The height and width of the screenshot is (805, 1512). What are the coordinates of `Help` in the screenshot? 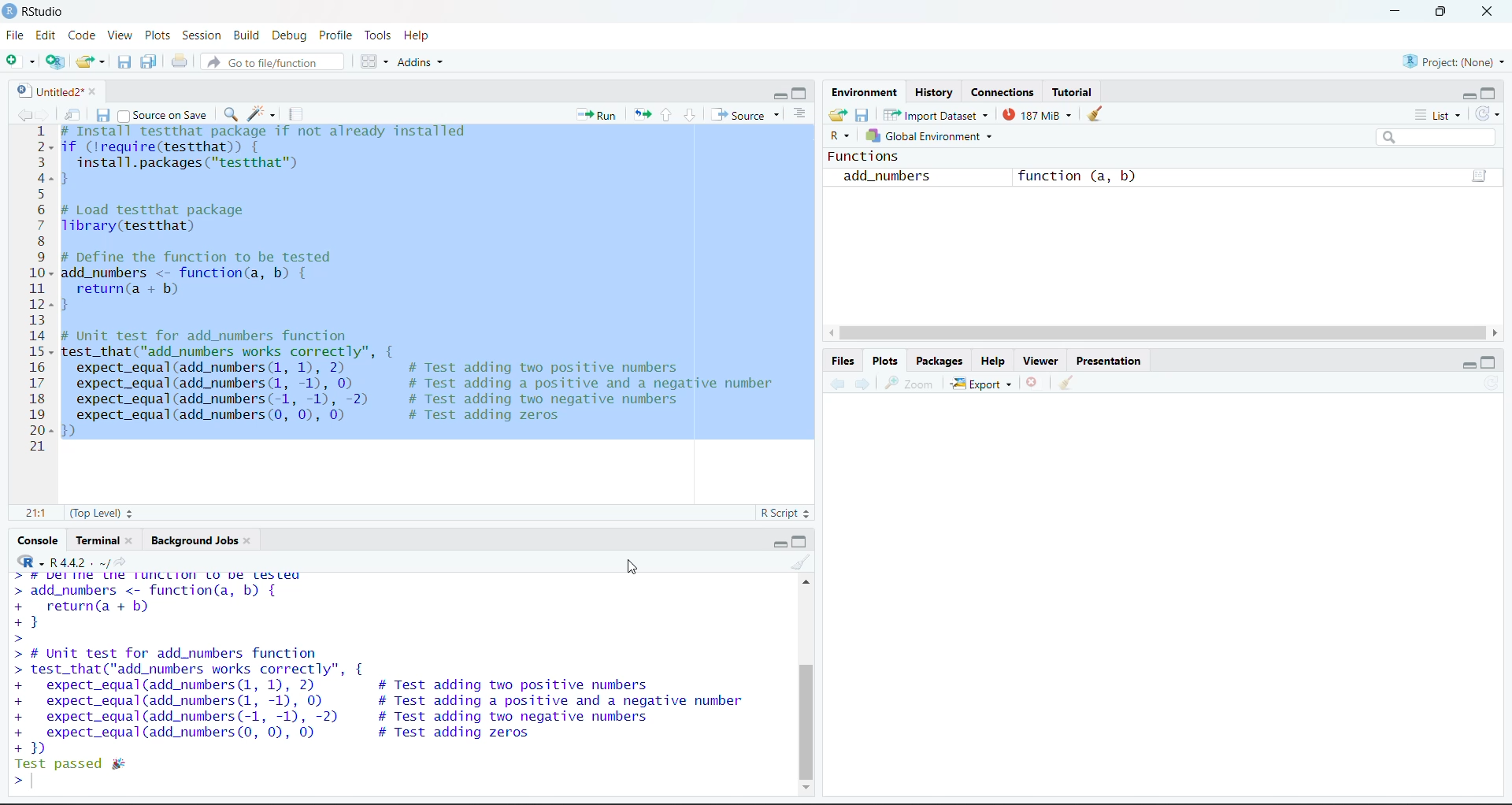 It's located at (417, 35).